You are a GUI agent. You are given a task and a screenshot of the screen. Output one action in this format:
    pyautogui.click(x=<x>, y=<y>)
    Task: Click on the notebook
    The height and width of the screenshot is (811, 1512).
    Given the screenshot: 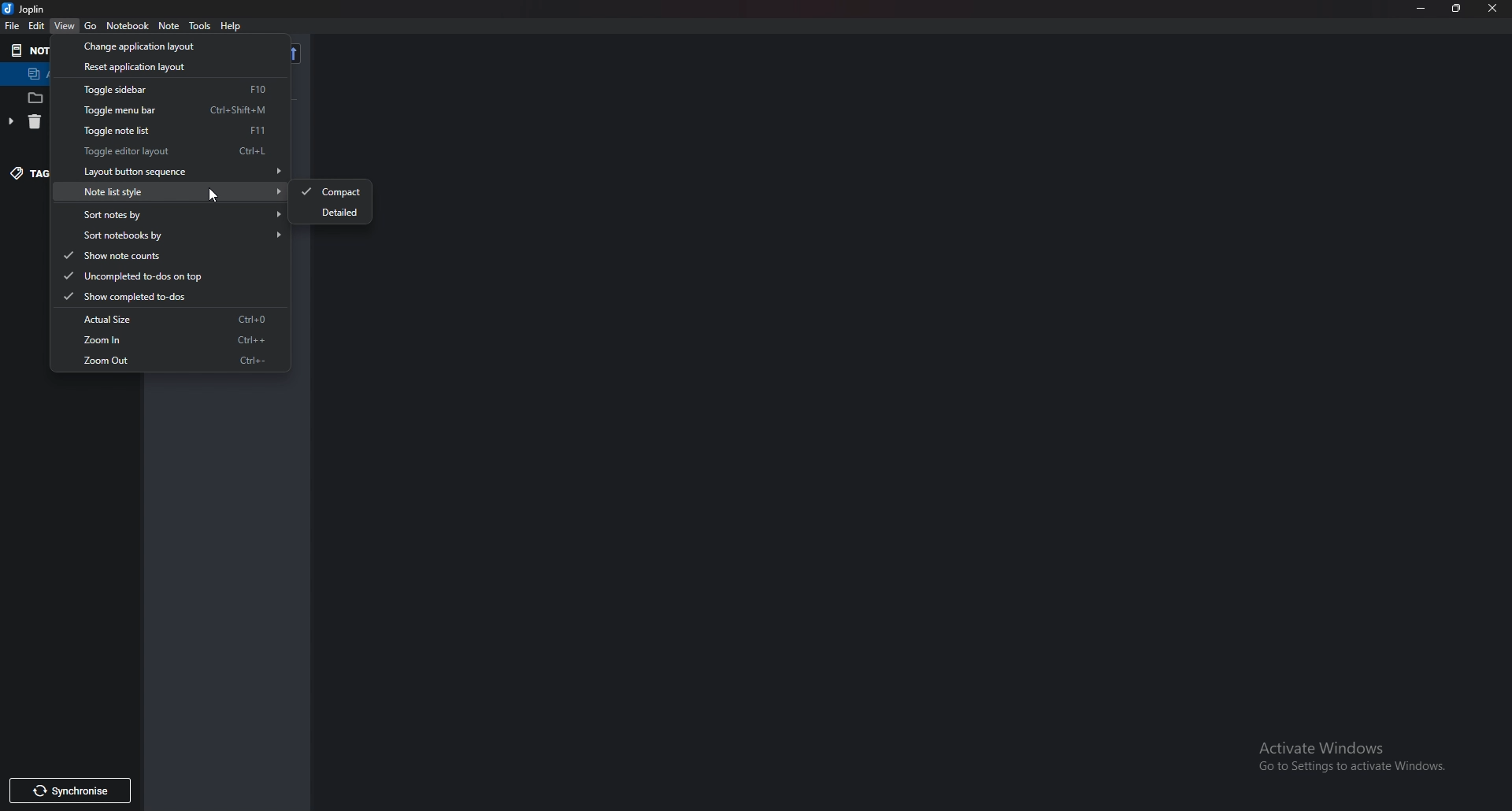 What is the action you would take?
    pyautogui.click(x=126, y=26)
    